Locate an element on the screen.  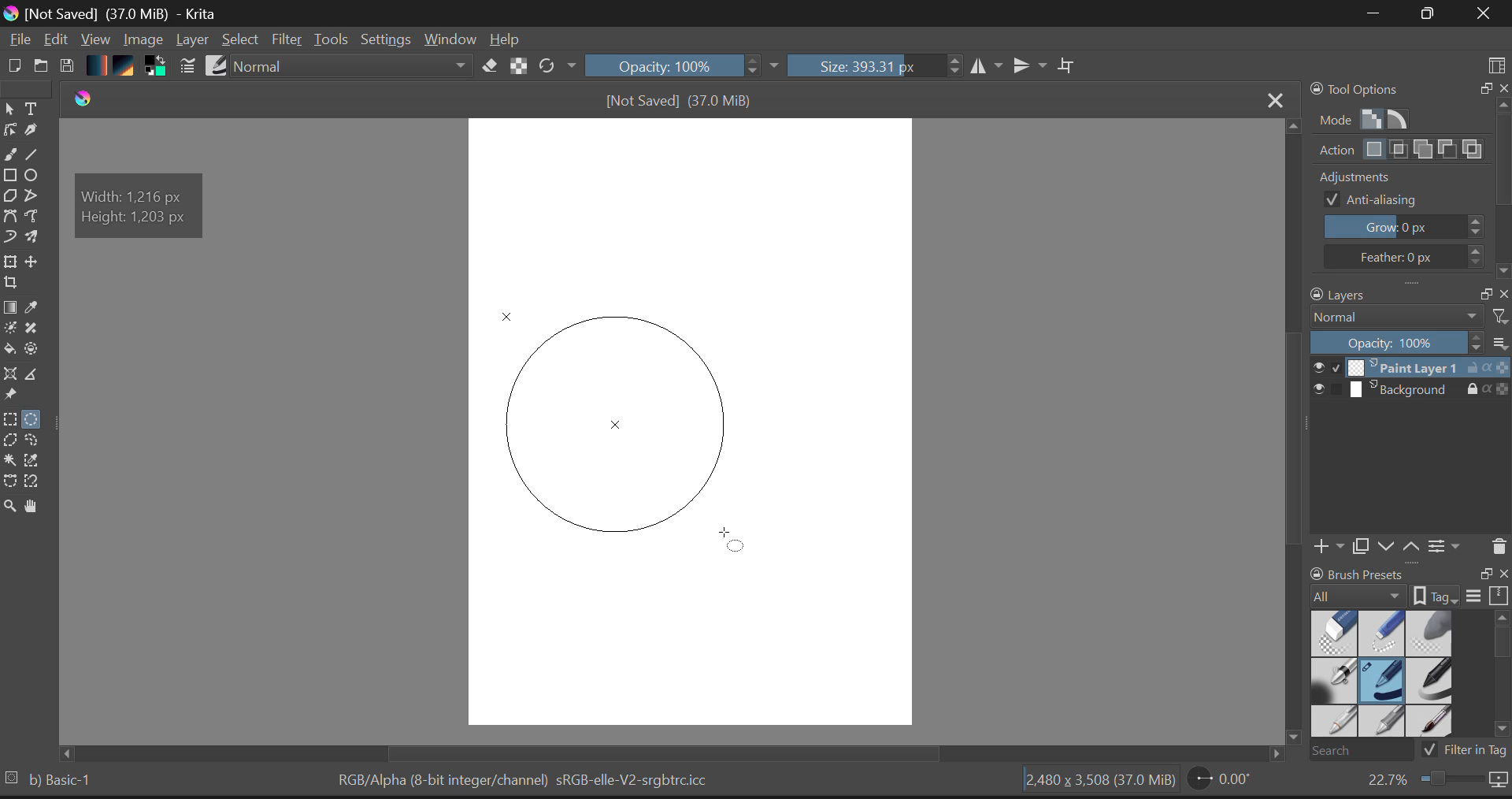
Scroll Bar is located at coordinates (679, 753).